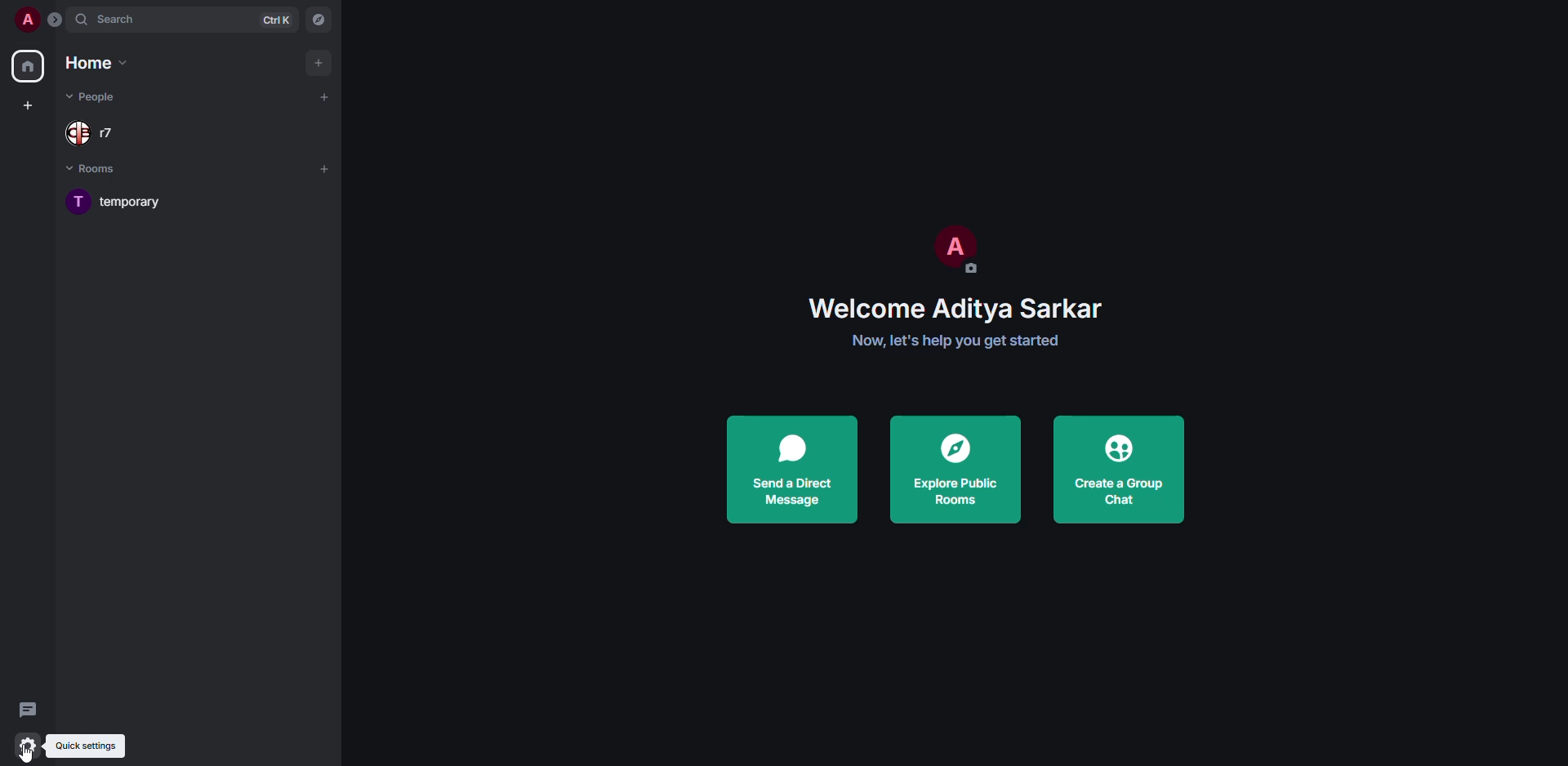 The image size is (1568, 766). I want to click on welcome, so click(965, 307).